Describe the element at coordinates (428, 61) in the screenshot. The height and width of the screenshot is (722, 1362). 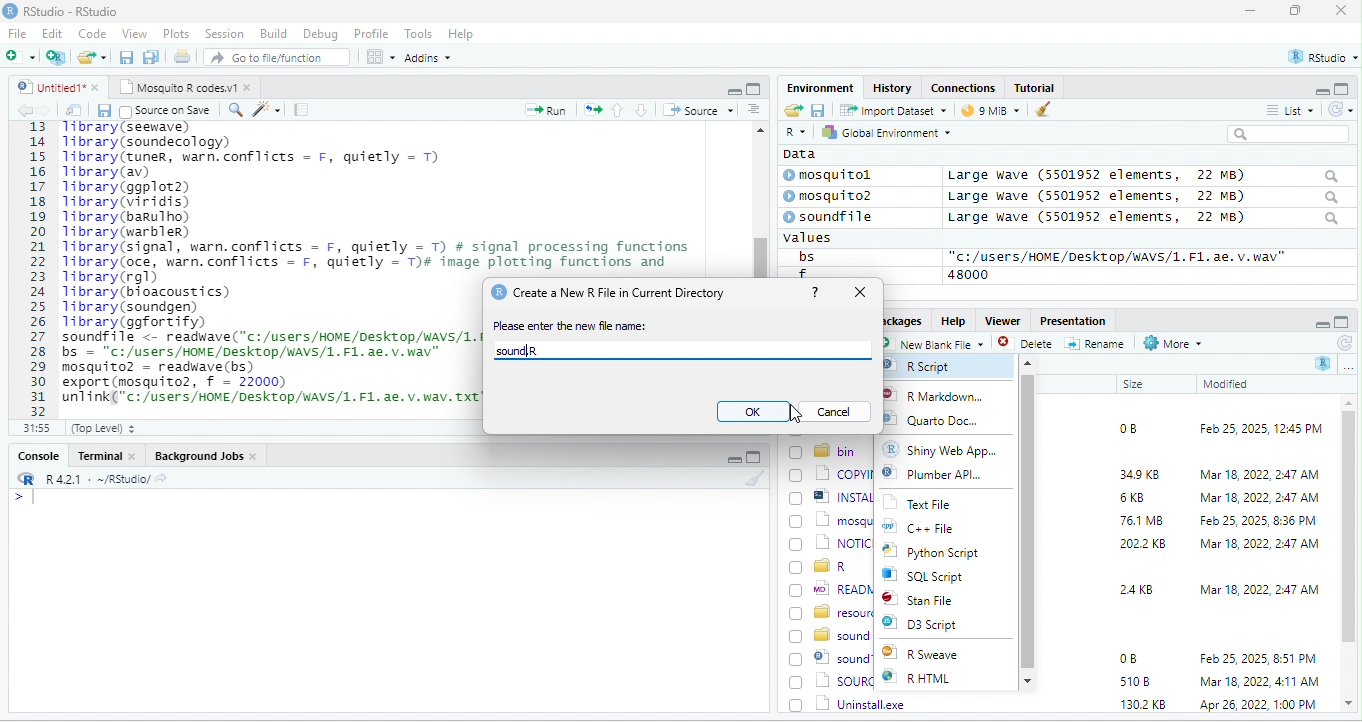
I see `Adonns ` at that location.